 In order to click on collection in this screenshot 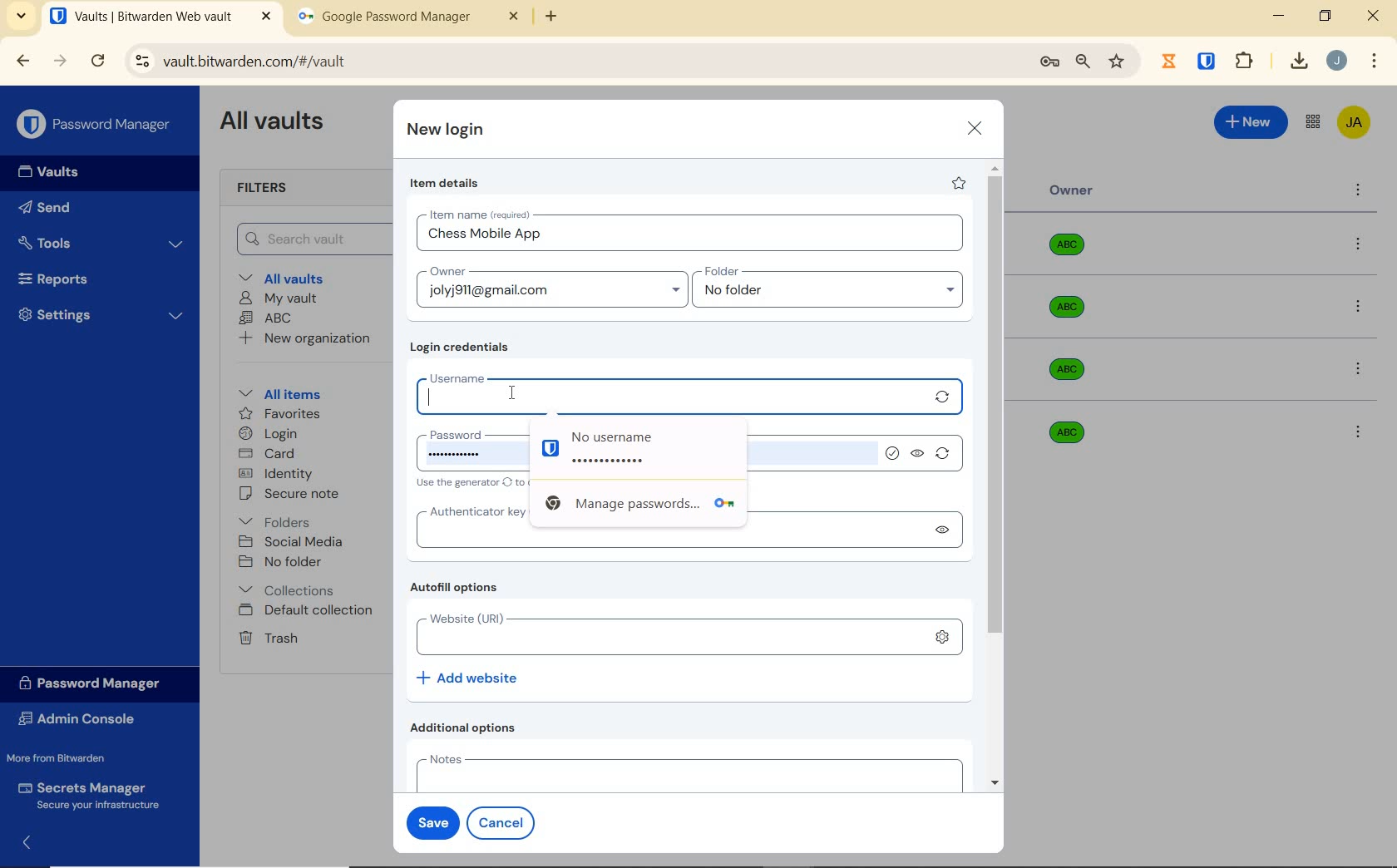, I will do `click(288, 590)`.